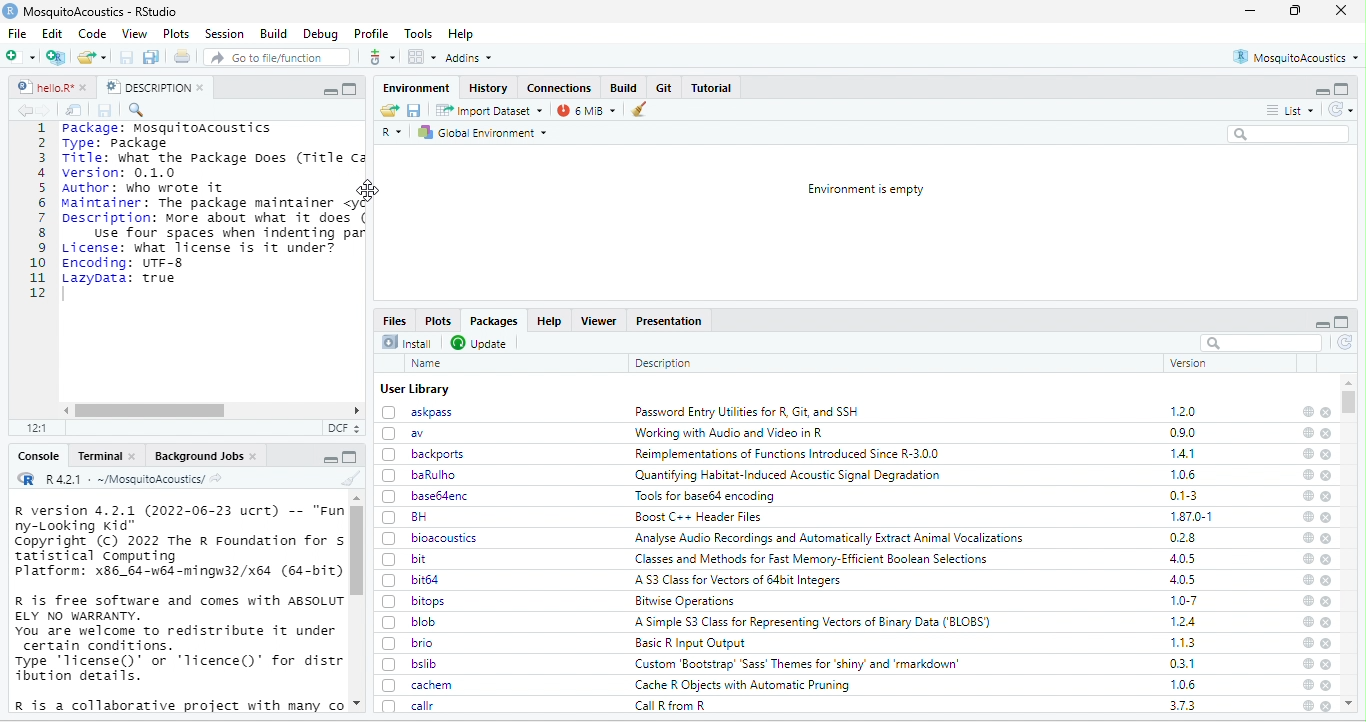 The width and height of the screenshot is (1366, 722). Describe the element at coordinates (39, 457) in the screenshot. I see `Console` at that location.